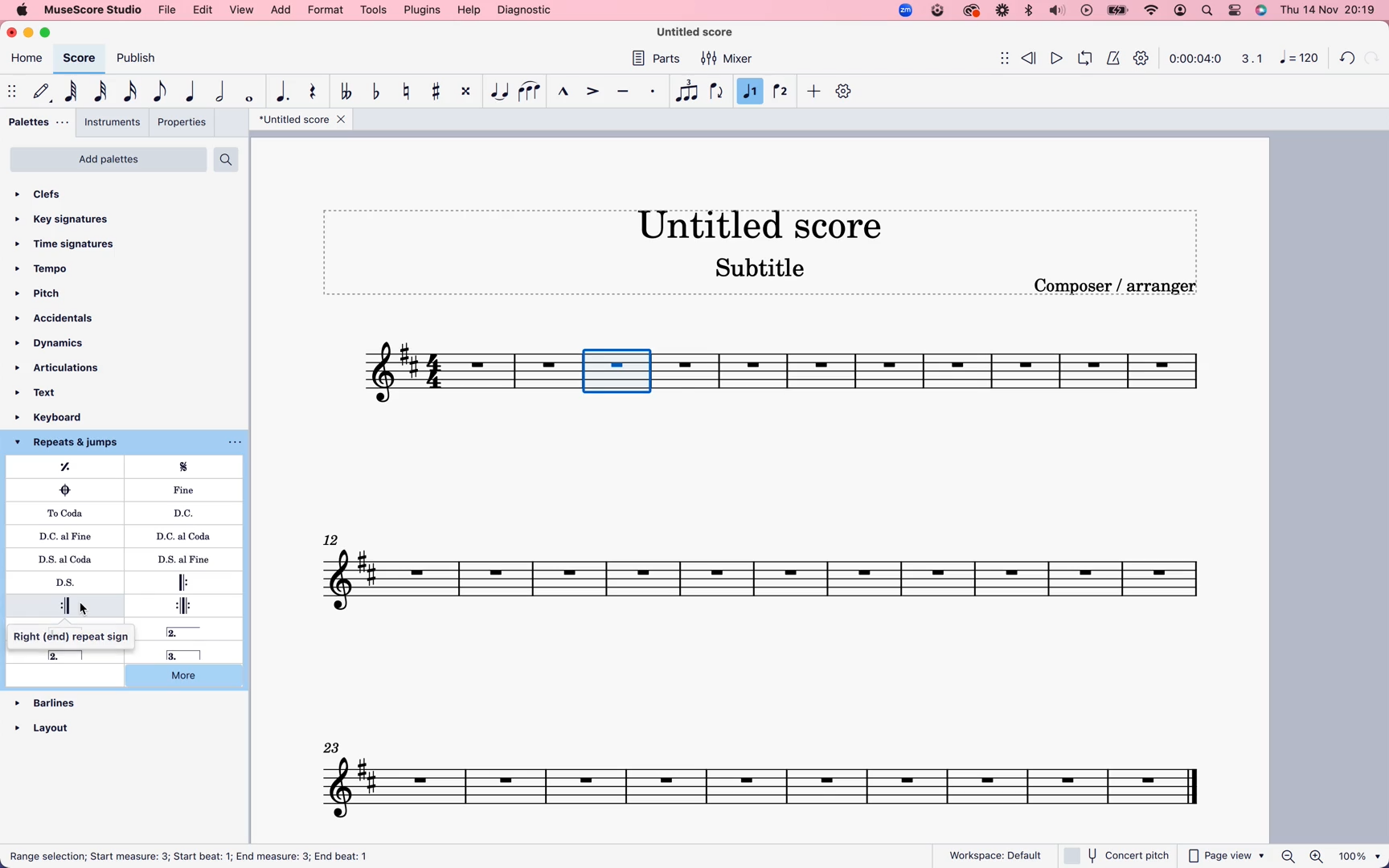  What do you see at coordinates (1331, 857) in the screenshot?
I see `zoom` at bounding box center [1331, 857].